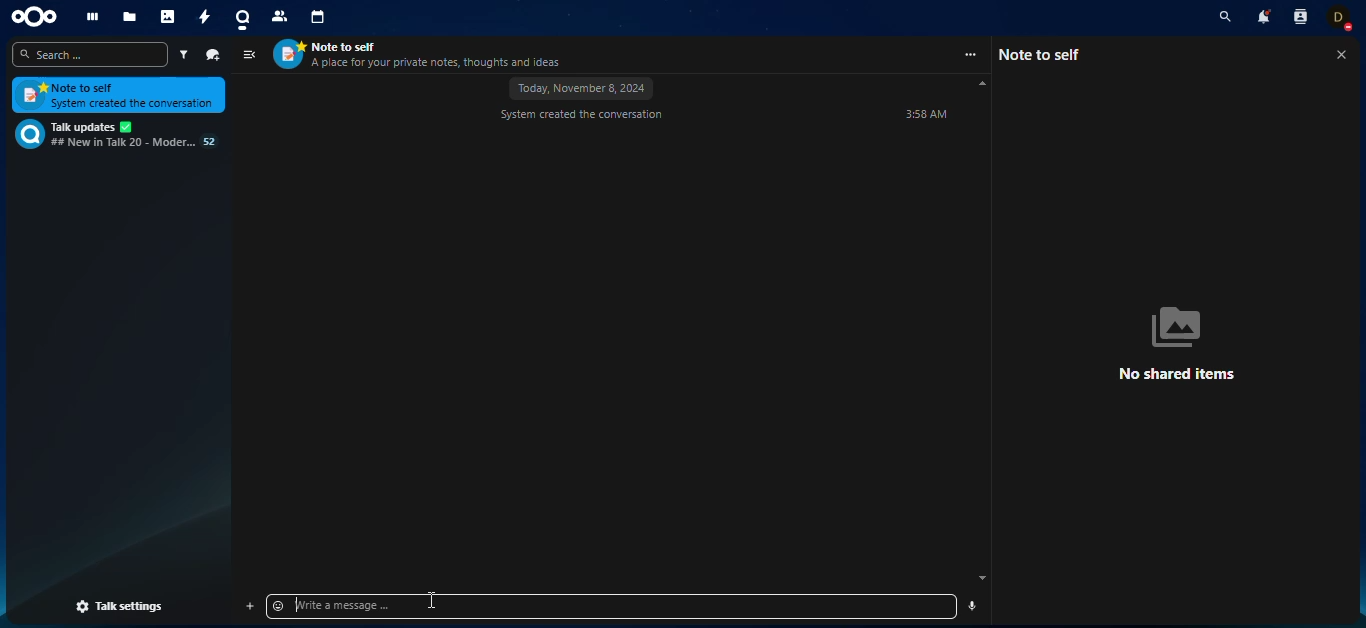 This screenshot has width=1366, height=628. I want to click on contact, so click(1300, 20).